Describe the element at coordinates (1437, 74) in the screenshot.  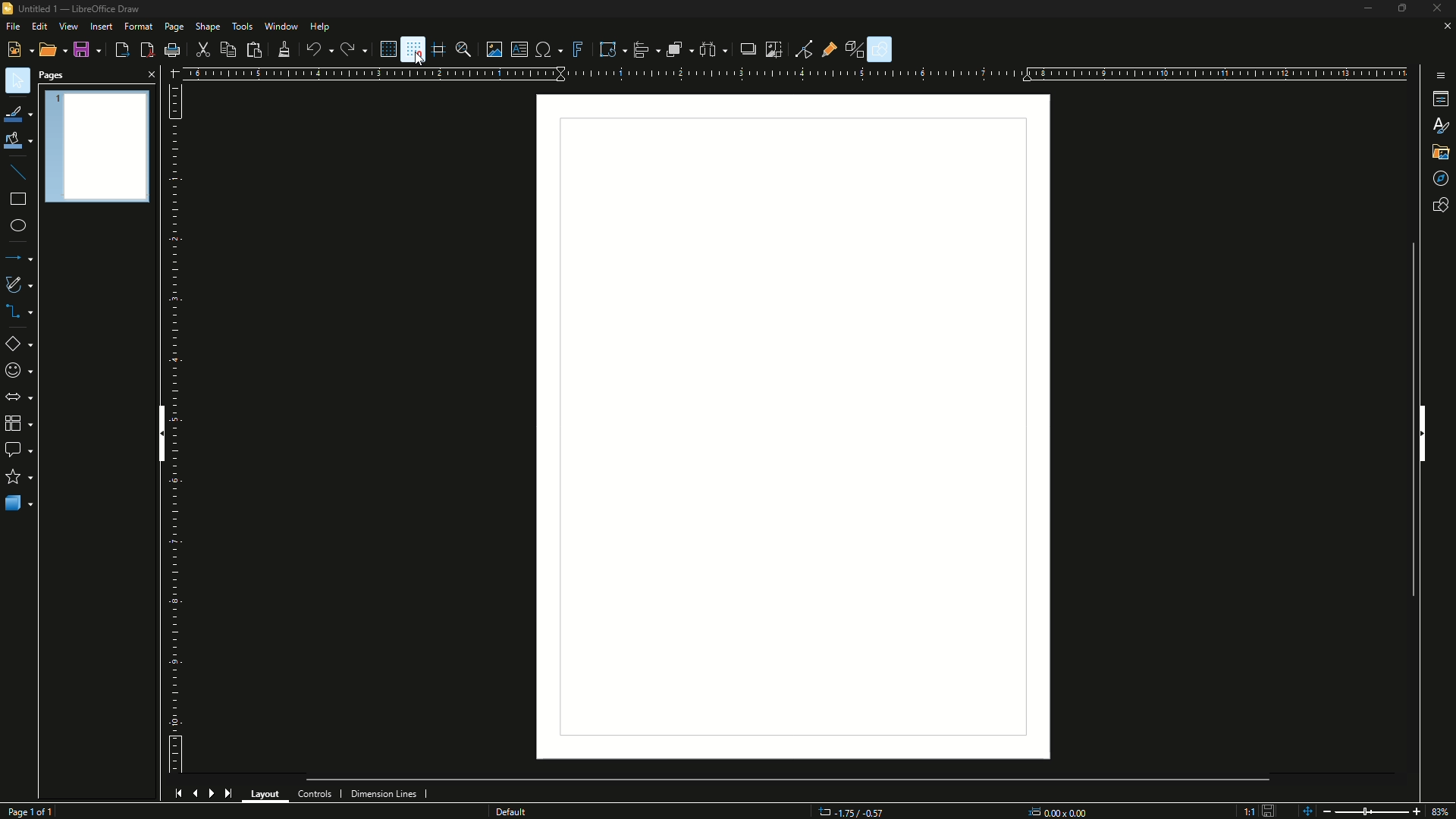
I see `More options` at that location.